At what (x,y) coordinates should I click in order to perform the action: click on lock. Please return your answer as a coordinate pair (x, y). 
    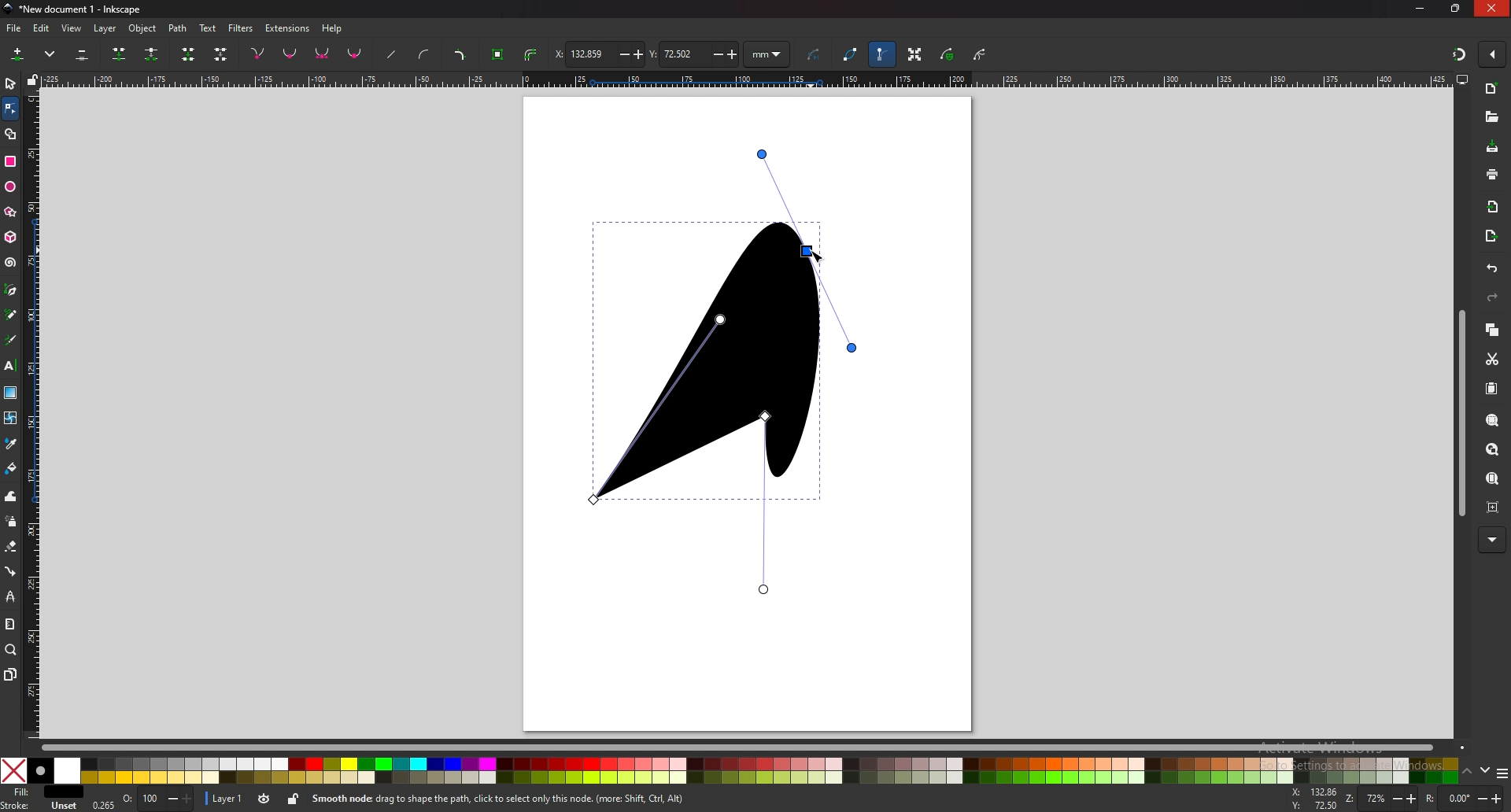
    Looking at the image, I should click on (295, 799).